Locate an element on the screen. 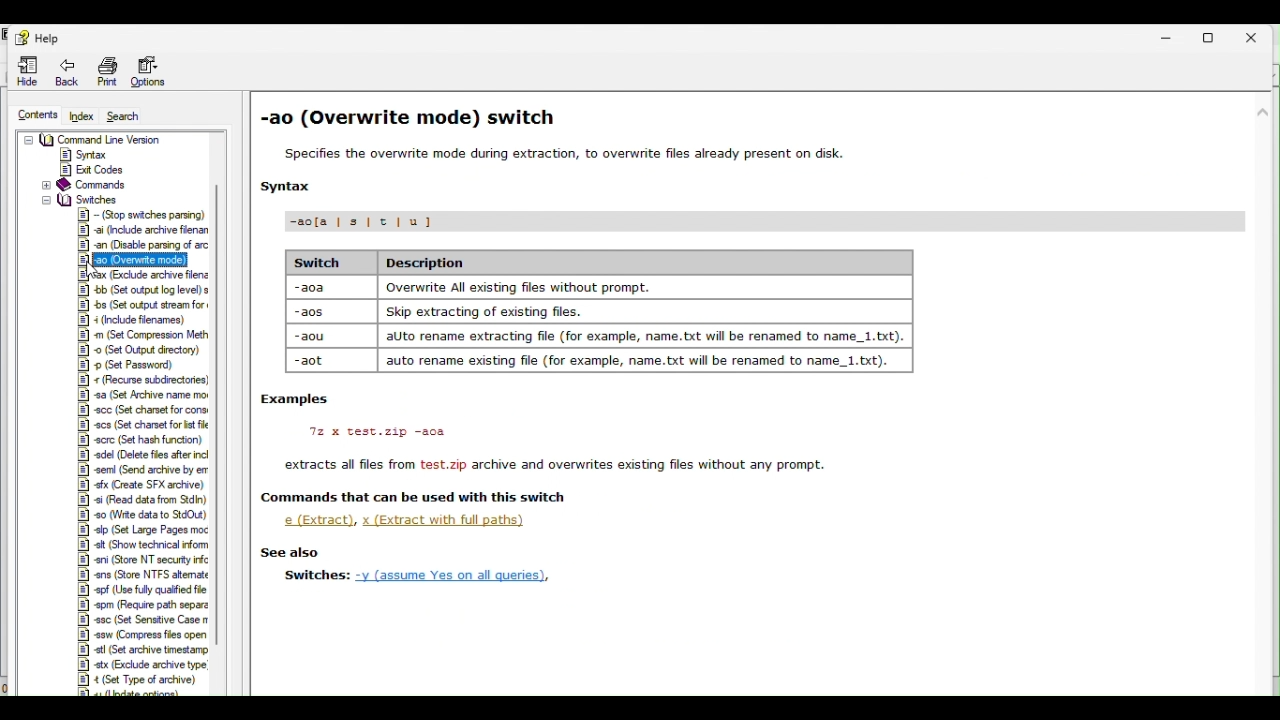 The height and width of the screenshot is (720, 1280). |W] eit (Show technical form is located at coordinates (143, 544).